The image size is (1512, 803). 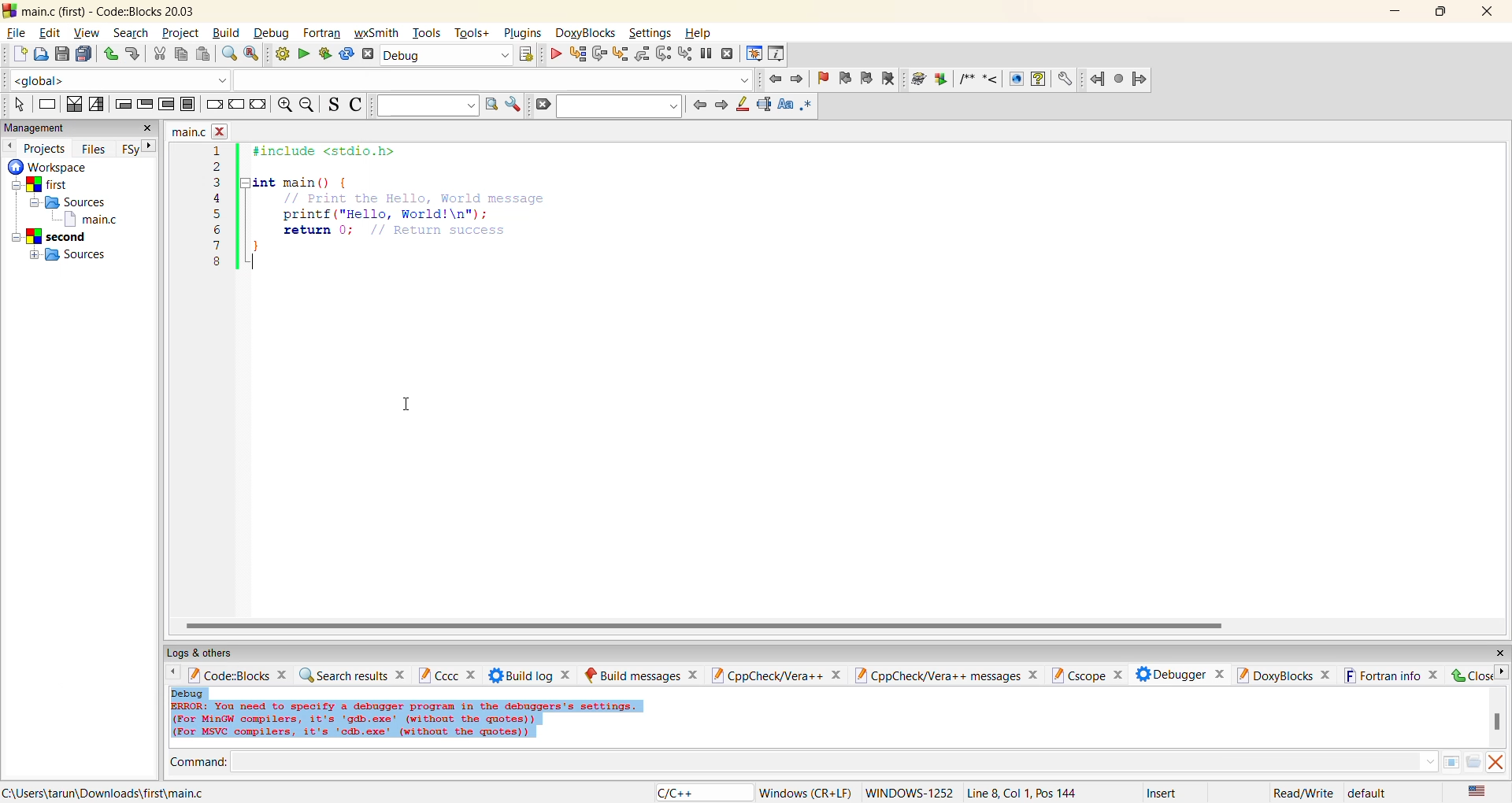 I want to click on build and run, so click(x=323, y=54).